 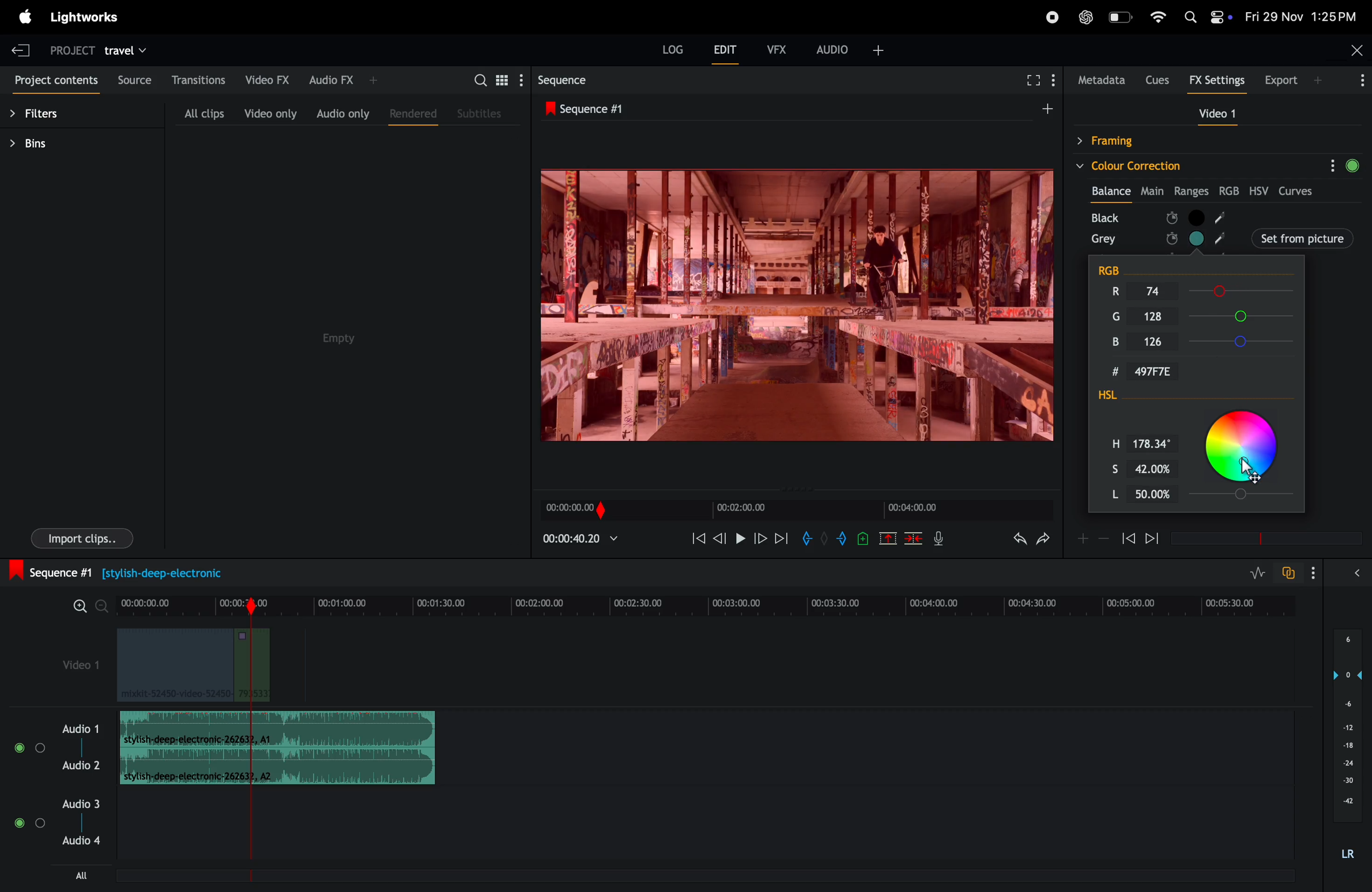 What do you see at coordinates (199, 79) in the screenshot?
I see `transitions` at bounding box center [199, 79].